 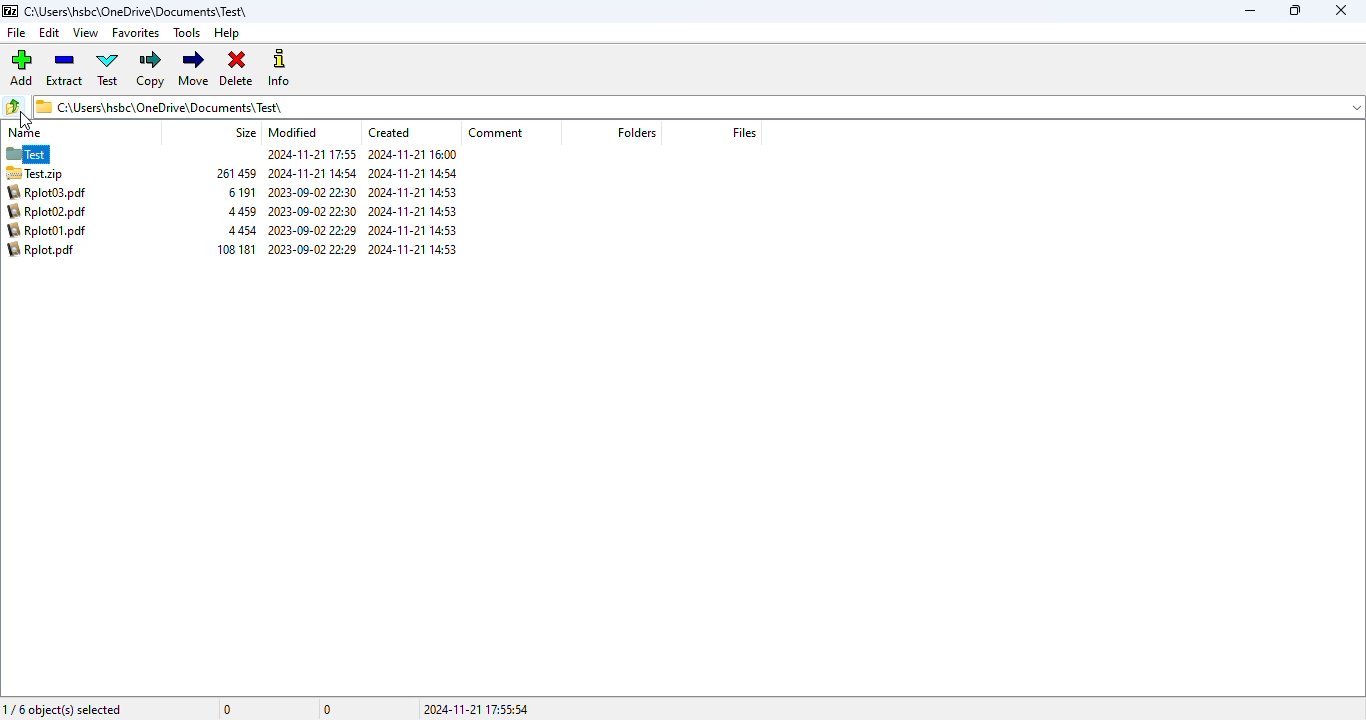 What do you see at coordinates (194, 69) in the screenshot?
I see `move` at bounding box center [194, 69].